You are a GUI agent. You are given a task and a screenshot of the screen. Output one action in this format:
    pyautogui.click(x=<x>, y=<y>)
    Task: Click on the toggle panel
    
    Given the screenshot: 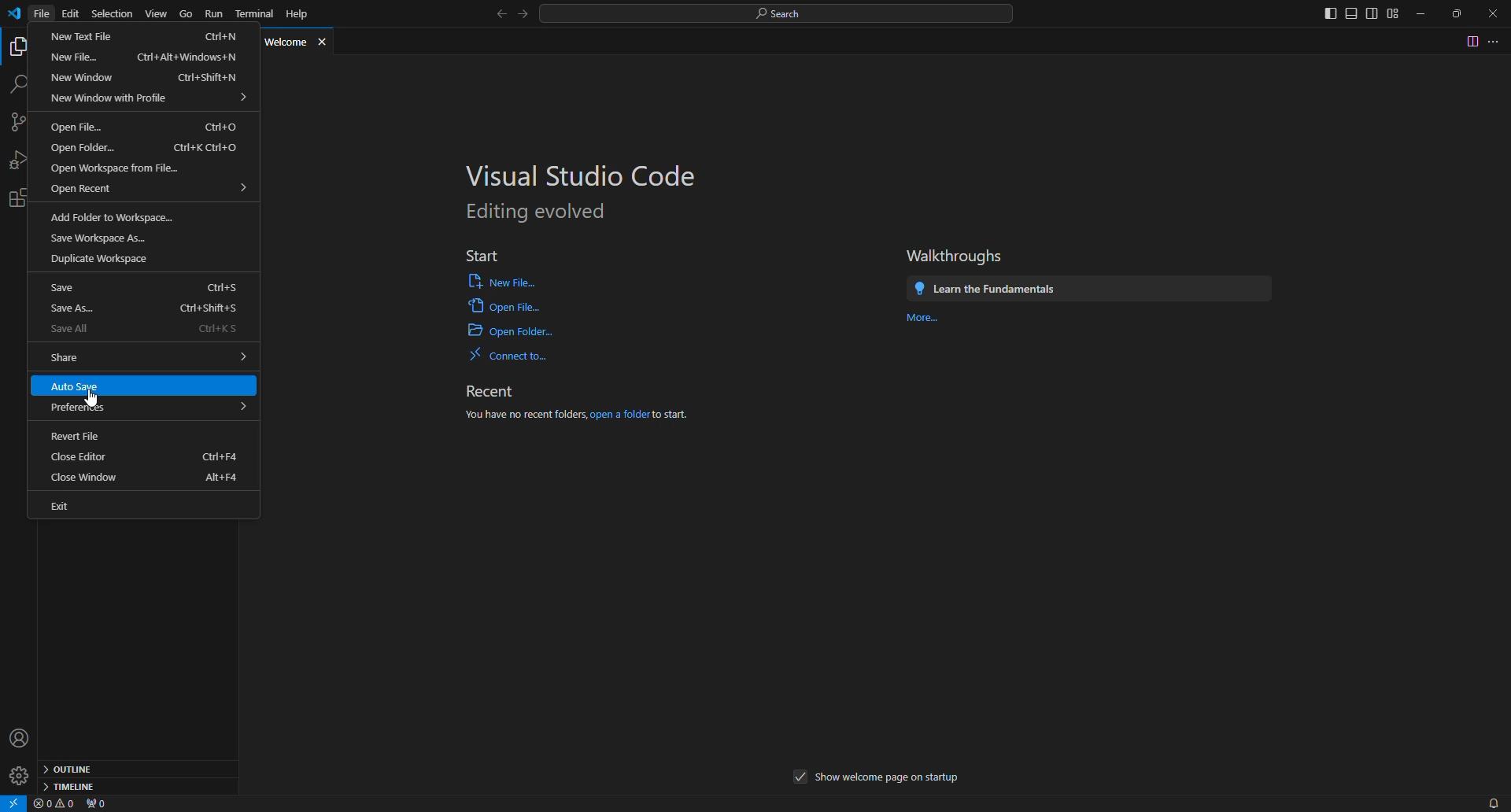 What is the action you would take?
    pyautogui.click(x=1350, y=14)
    